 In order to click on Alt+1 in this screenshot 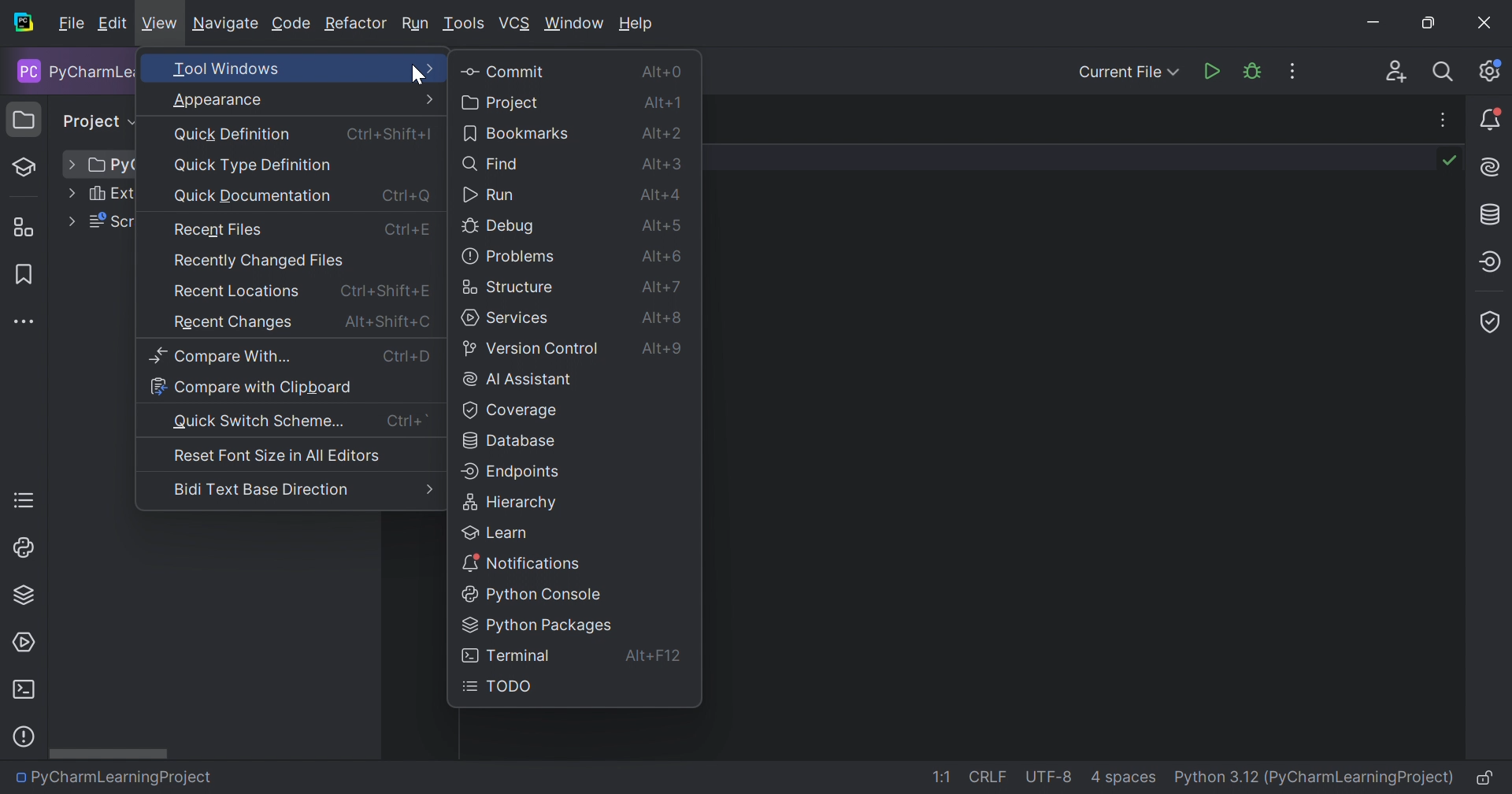, I will do `click(661, 103)`.